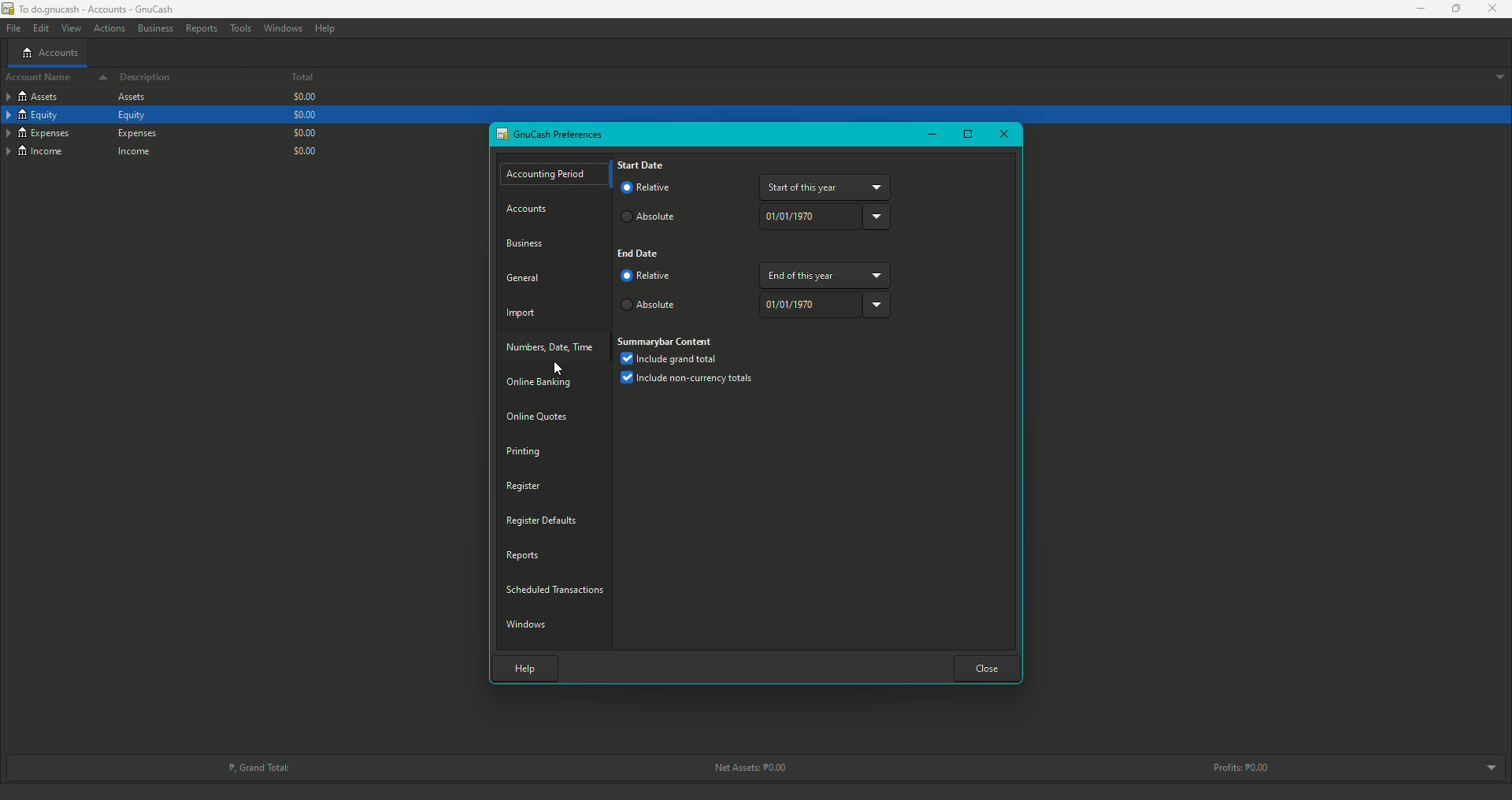 The width and height of the screenshot is (1512, 800). What do you see at coordinates (747, 768) in the screenshot?
I see `Net Assets` at bounding box center [747, 768].